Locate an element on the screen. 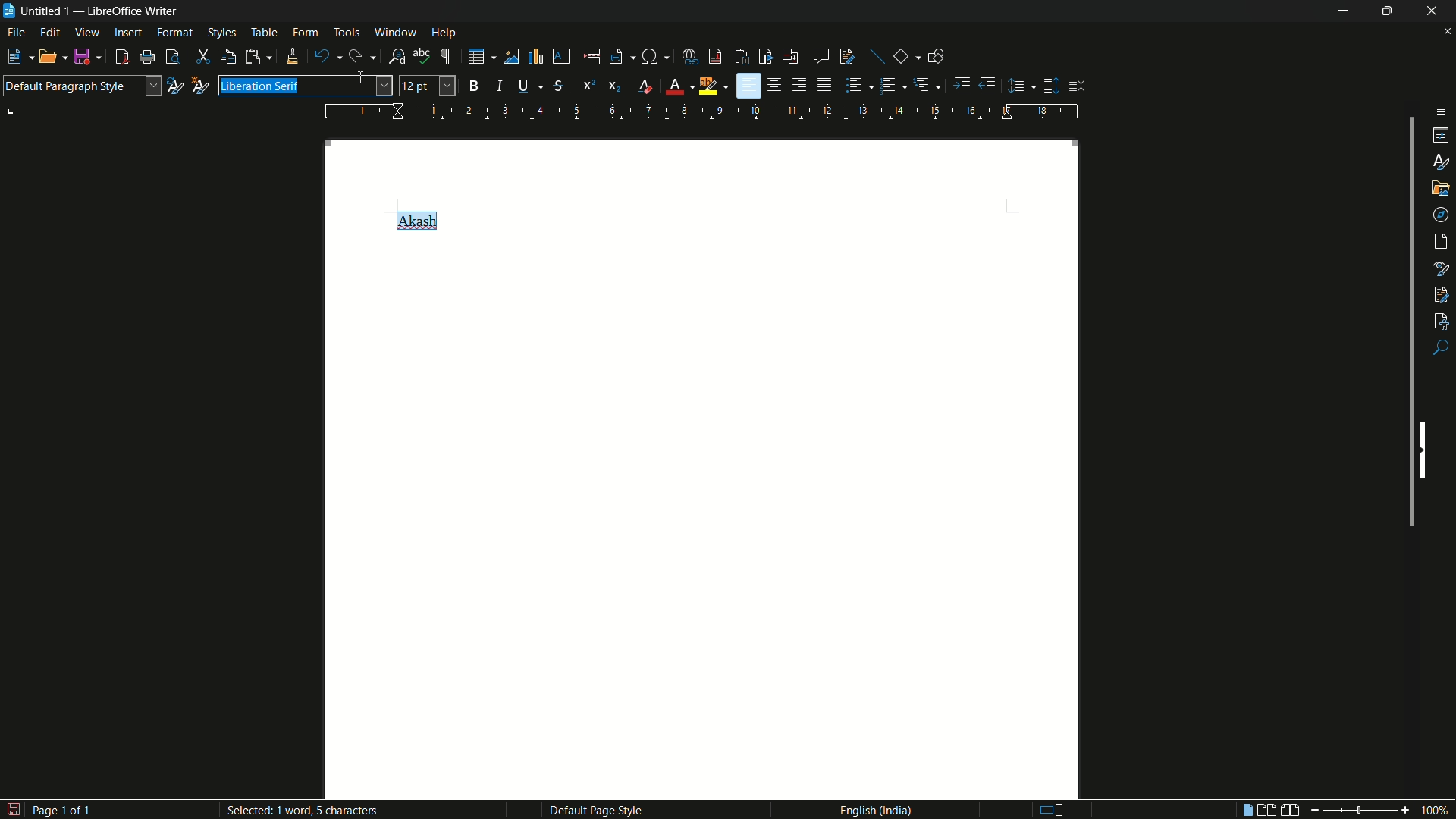 Image resolution: width=1456 pixels, height=819 pixels. align right is located at coordinates (799, 86).